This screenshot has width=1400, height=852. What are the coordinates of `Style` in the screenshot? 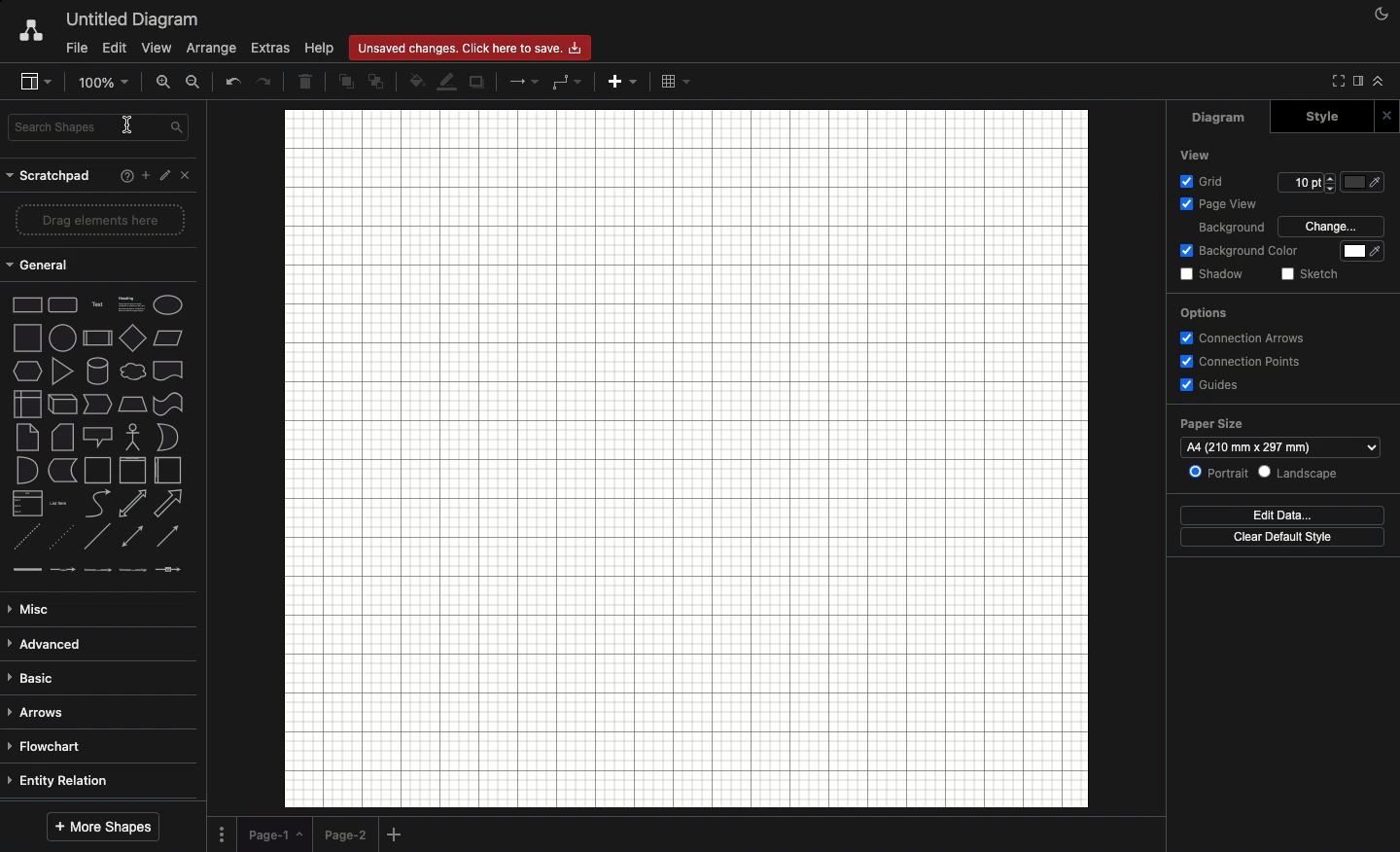 It's located at (1317, 115).